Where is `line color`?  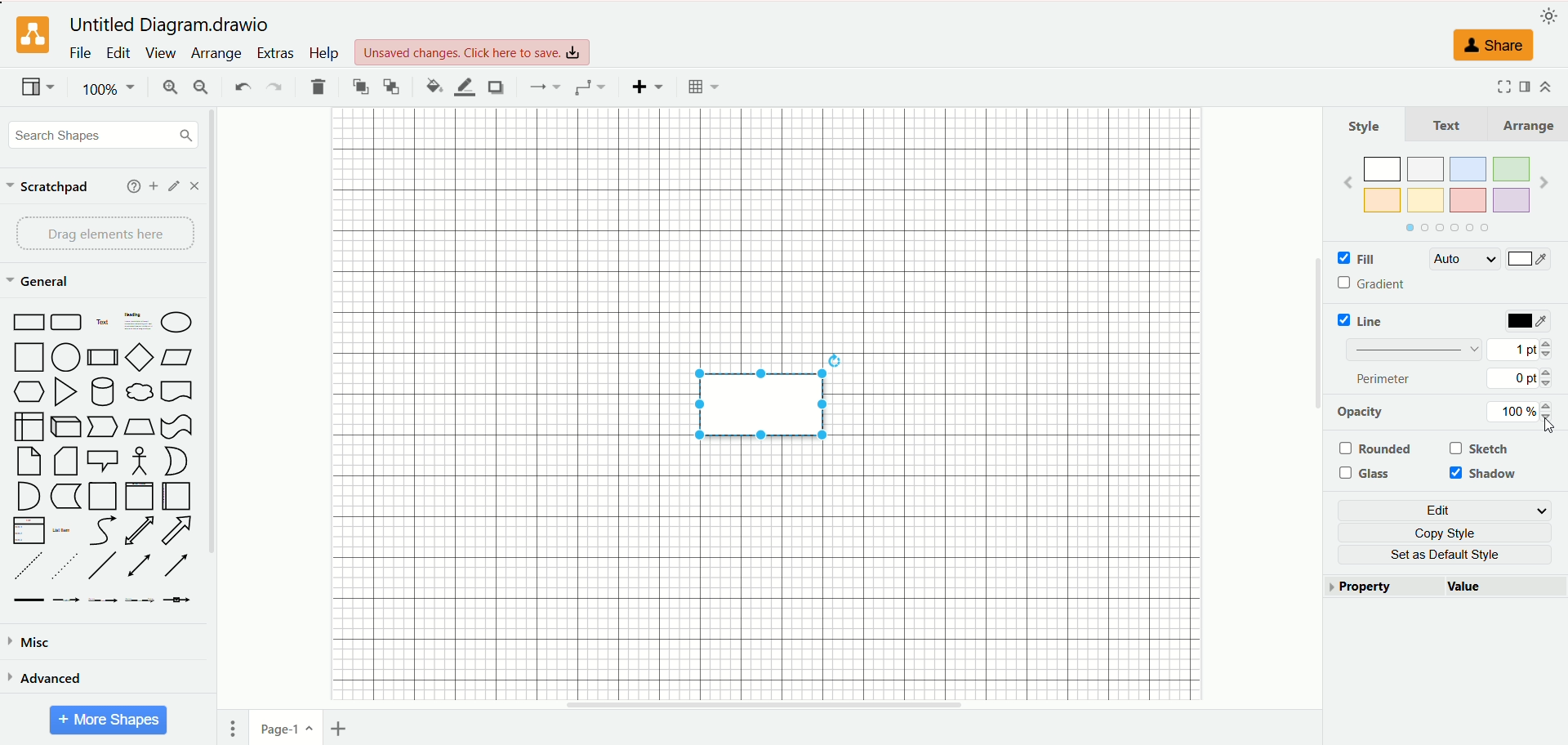 line color is located at coordinates (464, 87).